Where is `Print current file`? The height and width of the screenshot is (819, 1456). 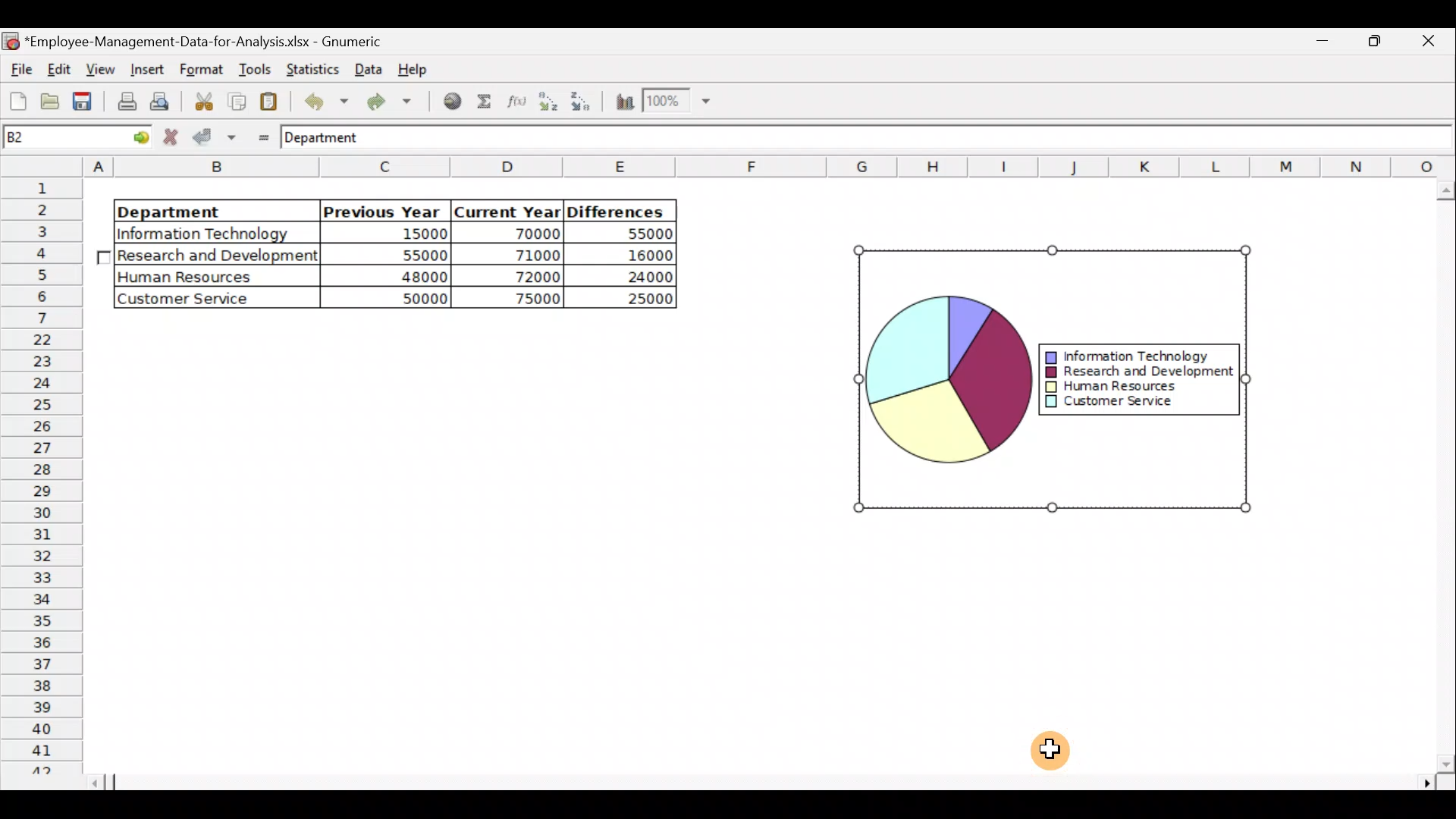 Print current file is located at coordinates (124, 103).